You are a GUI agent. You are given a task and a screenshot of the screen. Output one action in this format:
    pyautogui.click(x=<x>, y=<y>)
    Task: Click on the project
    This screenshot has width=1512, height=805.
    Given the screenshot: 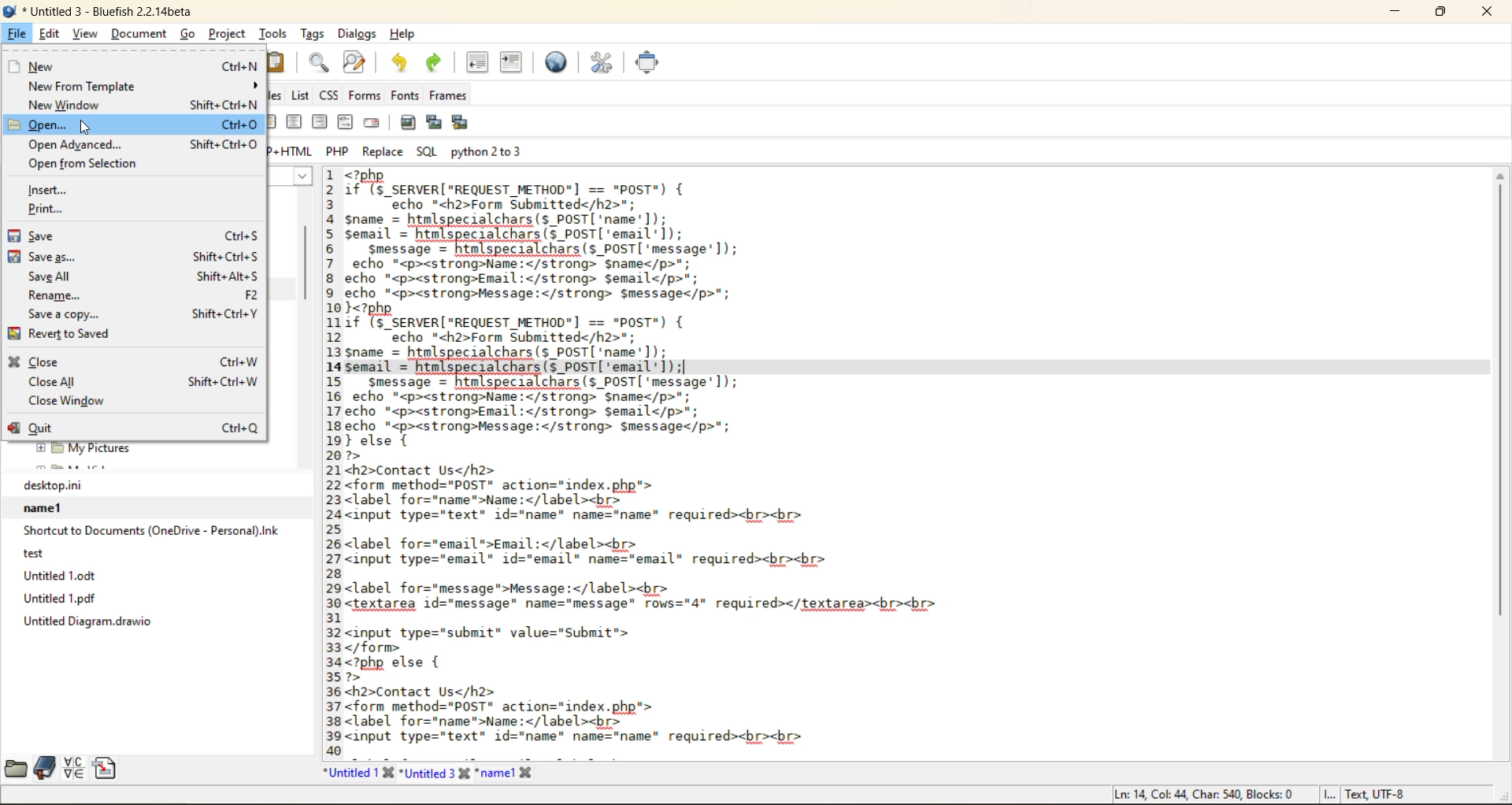 What is the action you would take?
    pyautogui.click(x=229, y=36)
    